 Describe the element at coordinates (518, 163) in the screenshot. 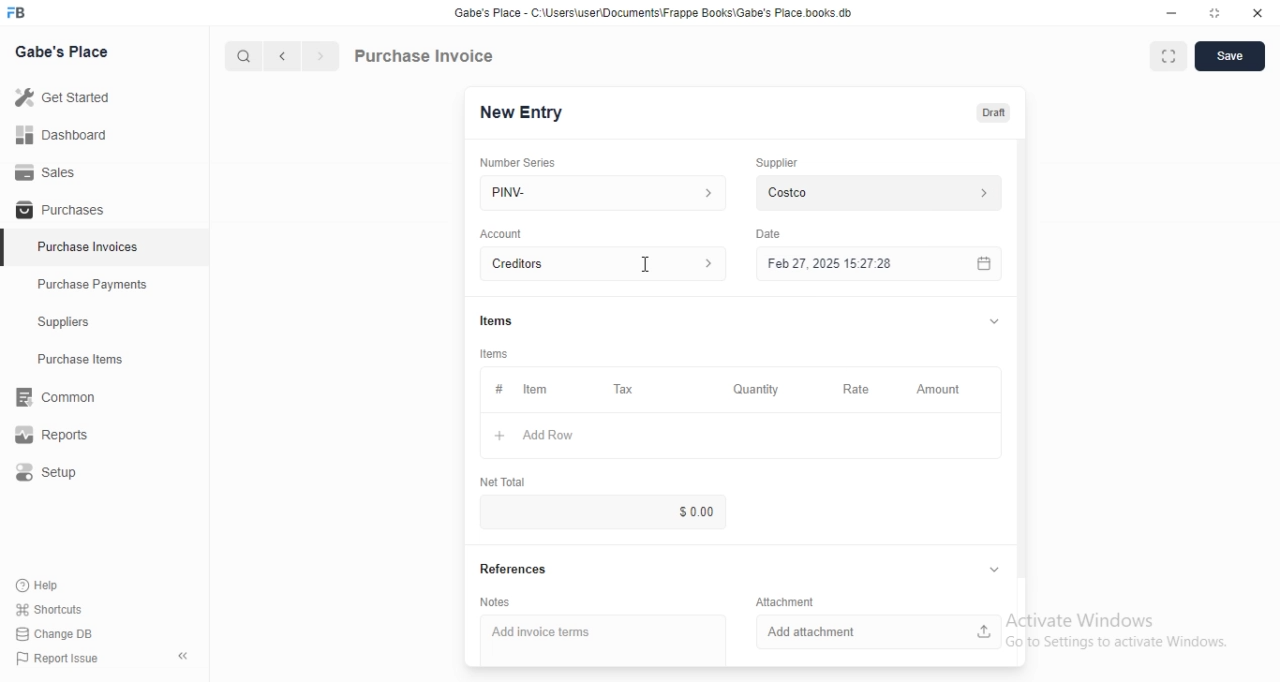

I see `Number Series` at that location.